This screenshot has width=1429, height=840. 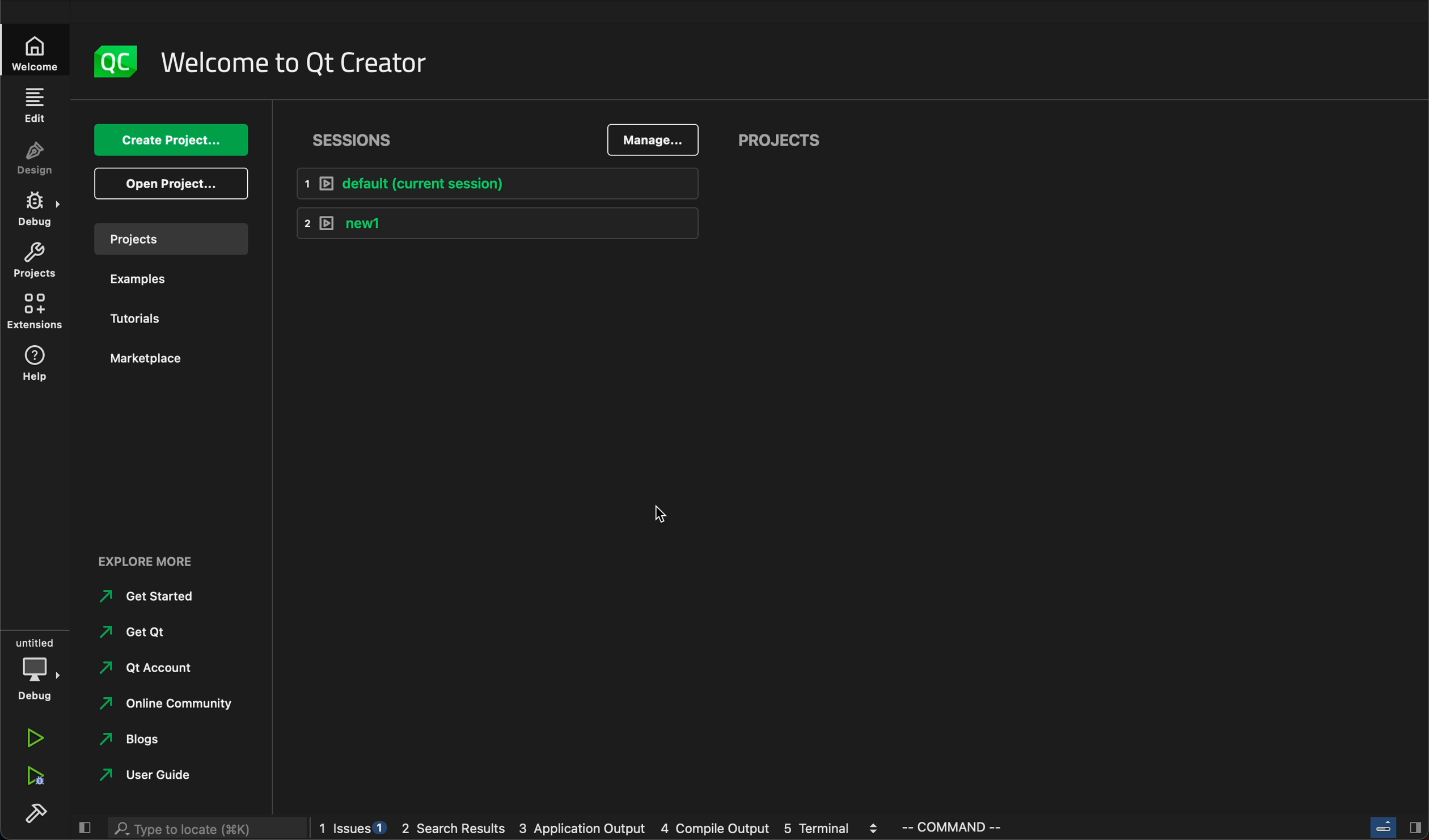 What do you see at coordinates (139, 317) in the screenshot?
I see `tutorials` at bounding box center [139, 317].